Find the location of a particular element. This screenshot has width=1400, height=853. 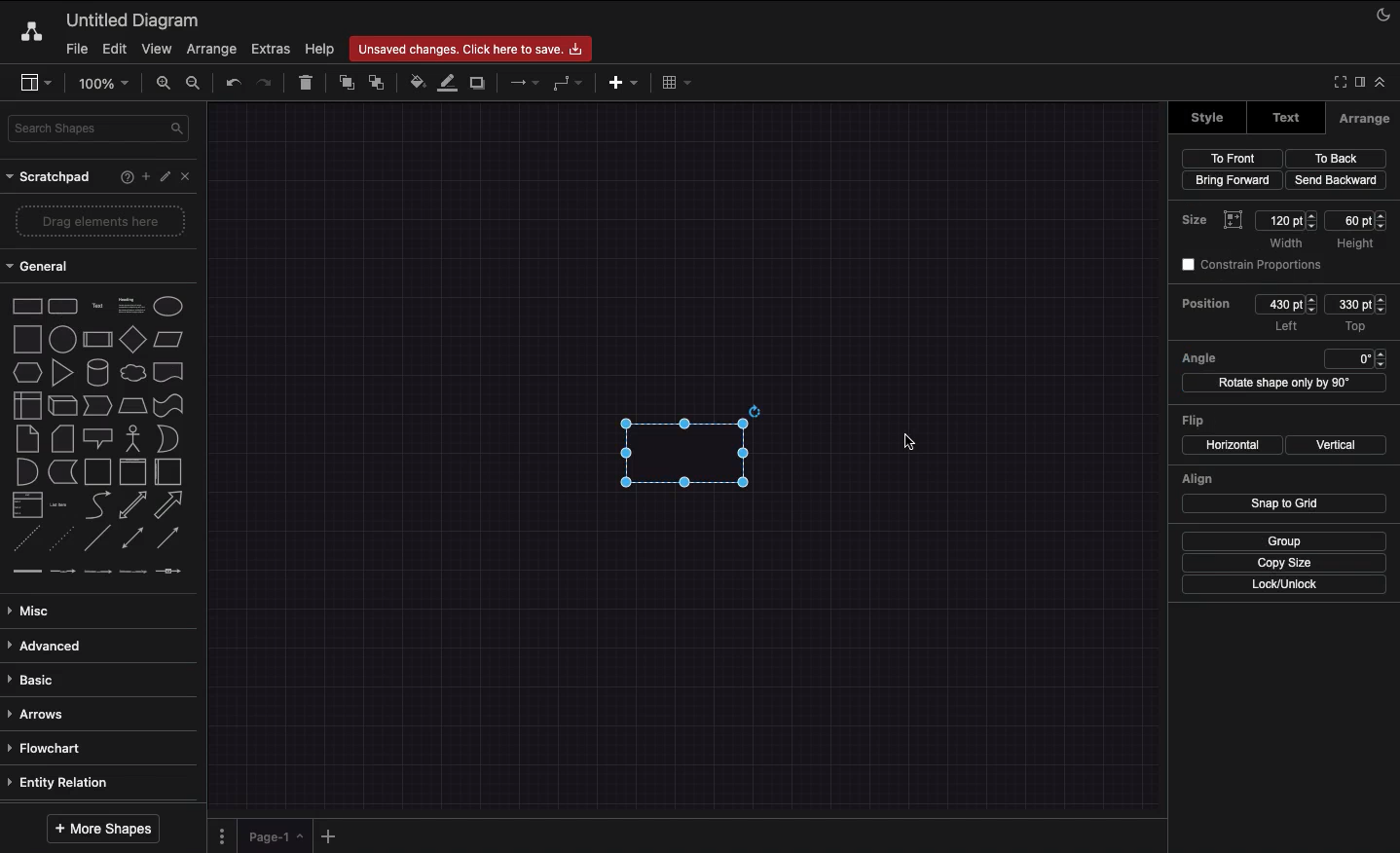

Send backward is located at coordinates (1338, 183).